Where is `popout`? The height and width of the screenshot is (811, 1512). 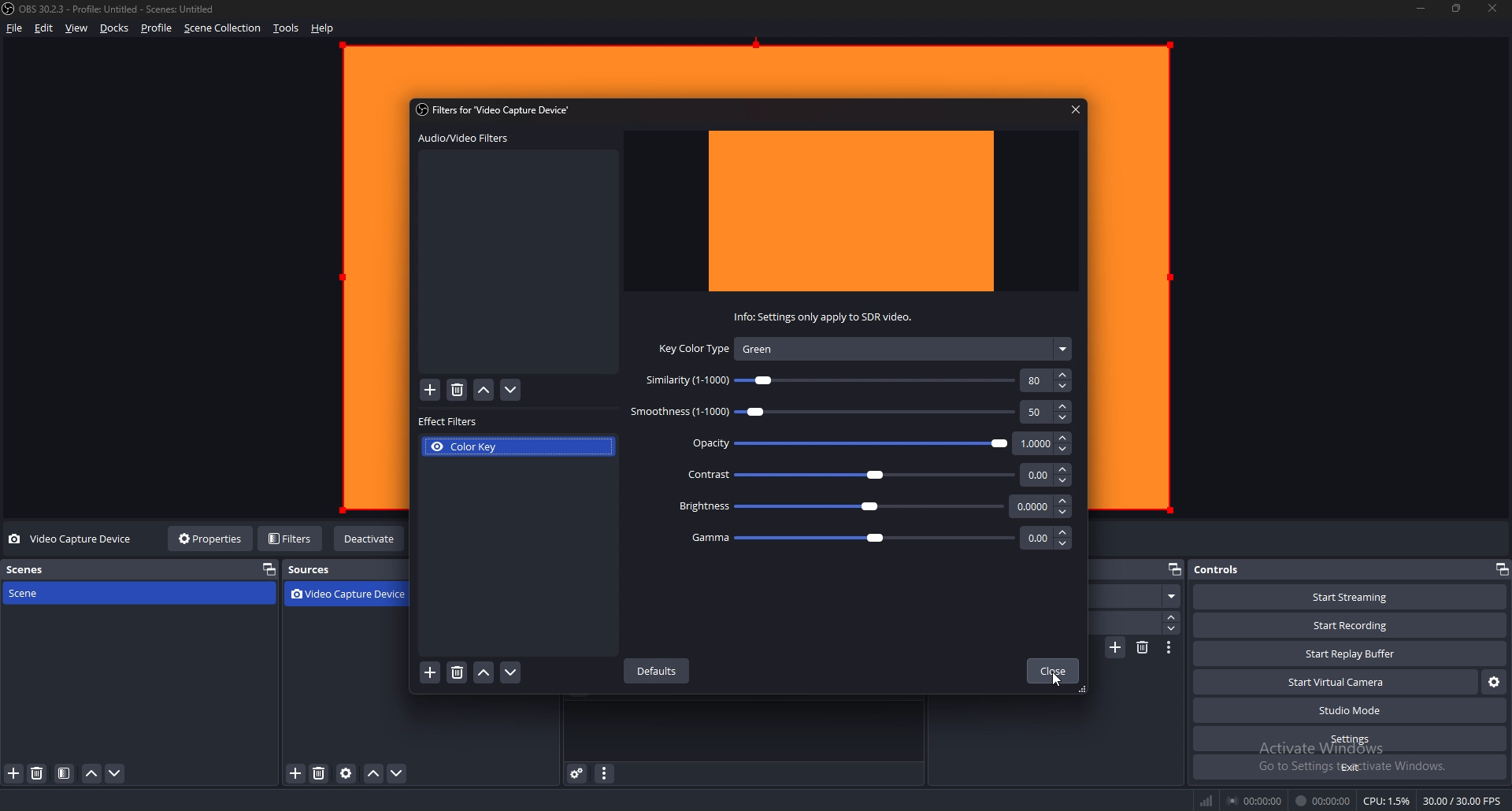
popout is located at coordinates (1174, 571).